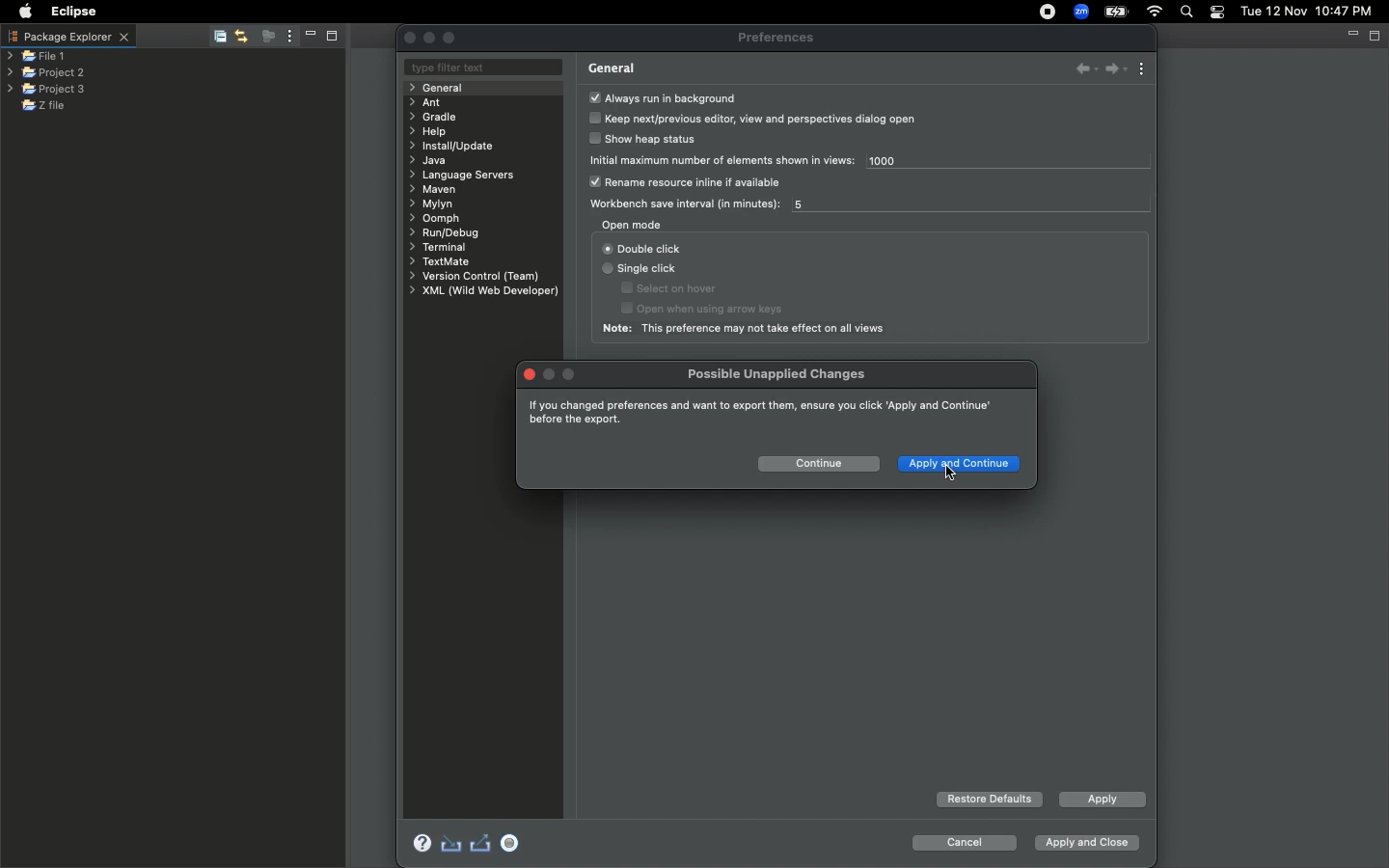  What do you see at coordinates (289, 37) in the screenshot?
I see `View menu` at bounding box center [289, 37].